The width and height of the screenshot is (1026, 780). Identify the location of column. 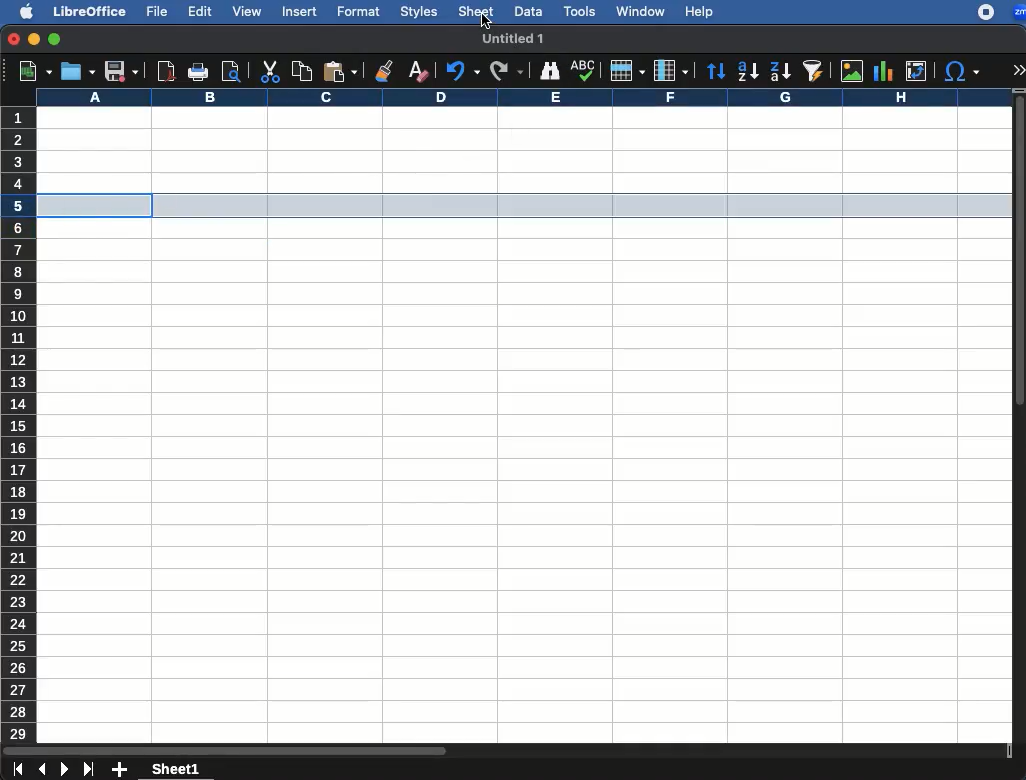
(519, 98).